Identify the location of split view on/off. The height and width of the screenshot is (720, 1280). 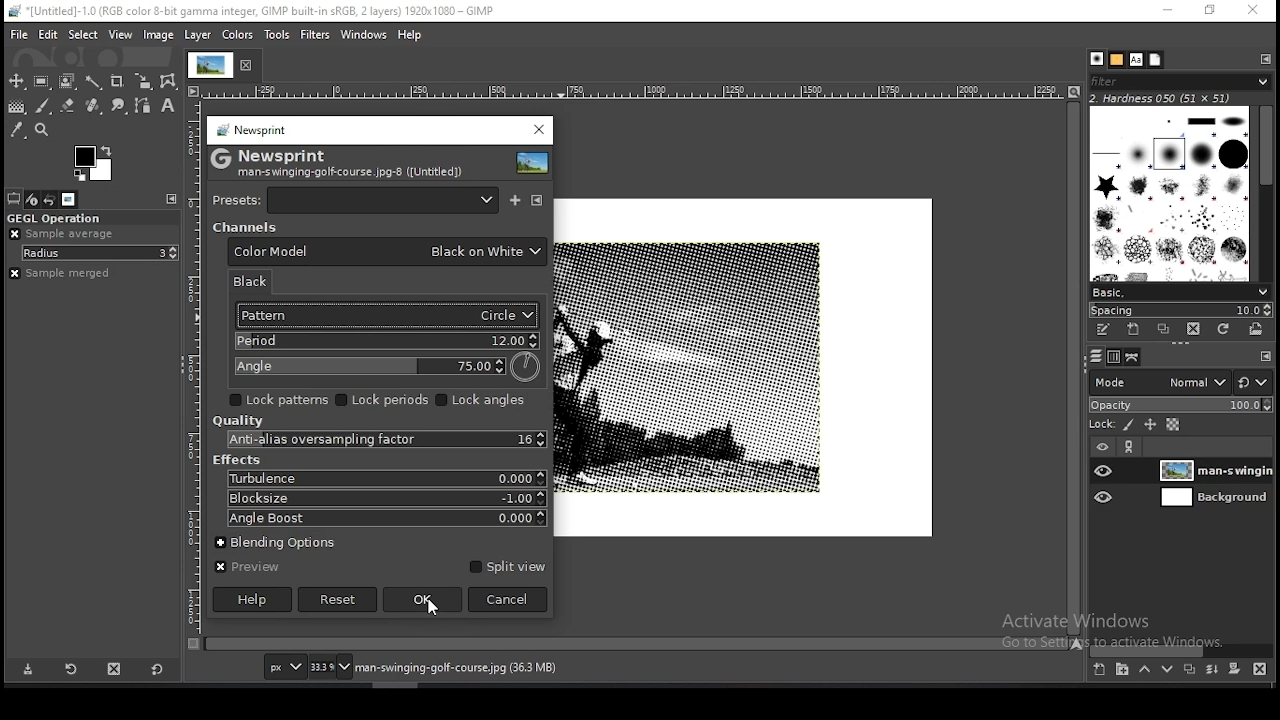
(505, 566).